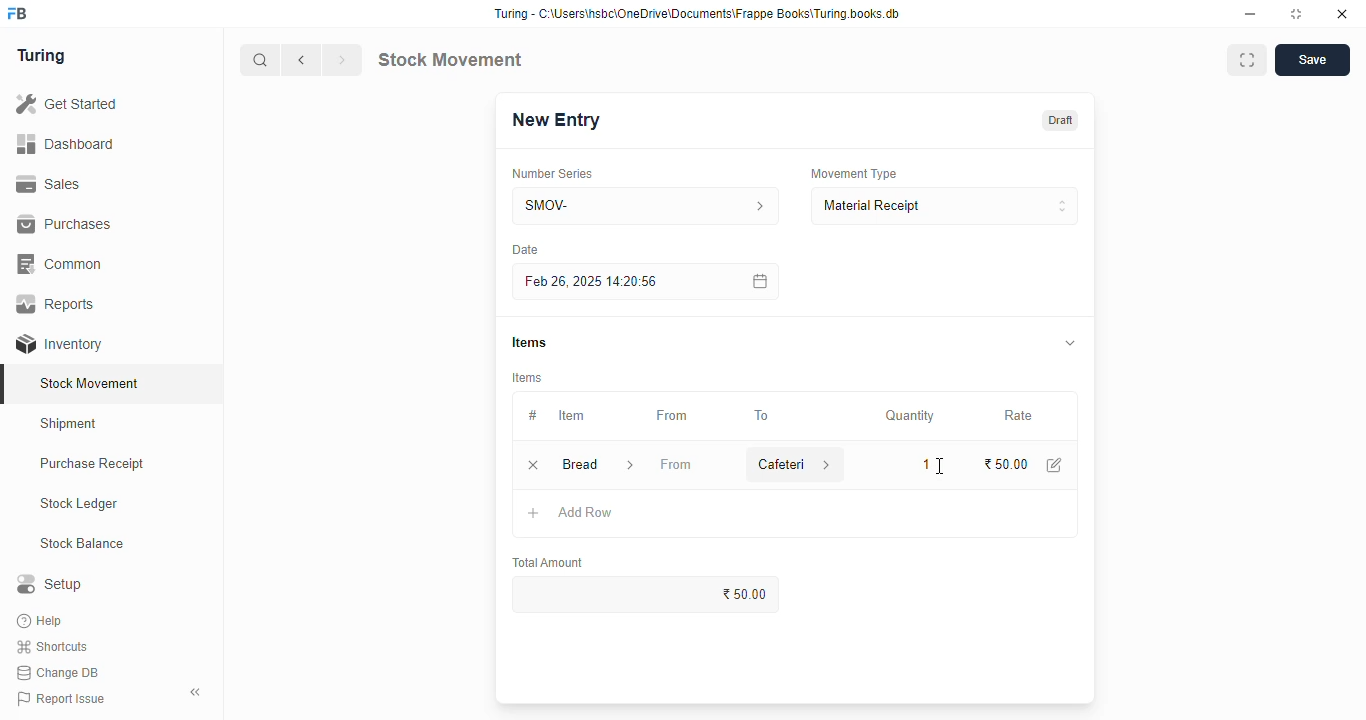  Describe the element at coordinates (944, 206) in the screenshot. I see `material receipt` at that location.